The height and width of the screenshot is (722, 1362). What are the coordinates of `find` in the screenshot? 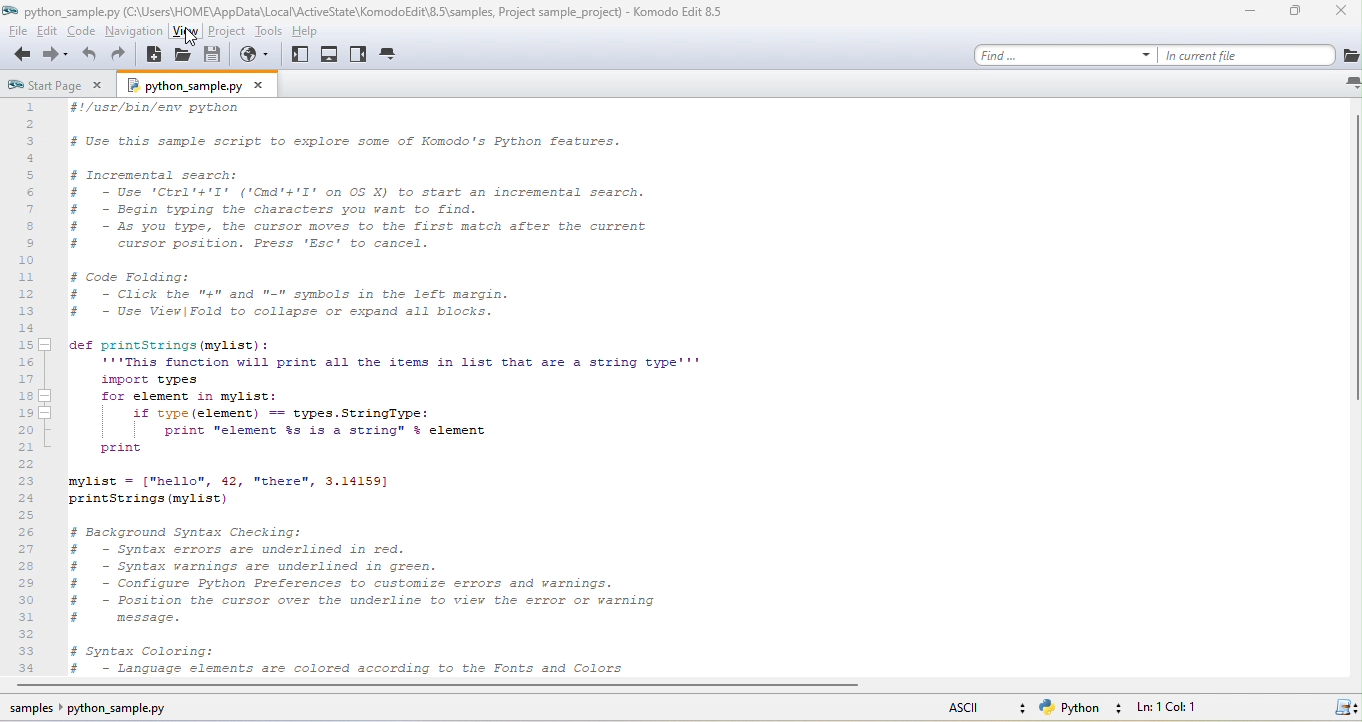 It's located at (1067, 54).